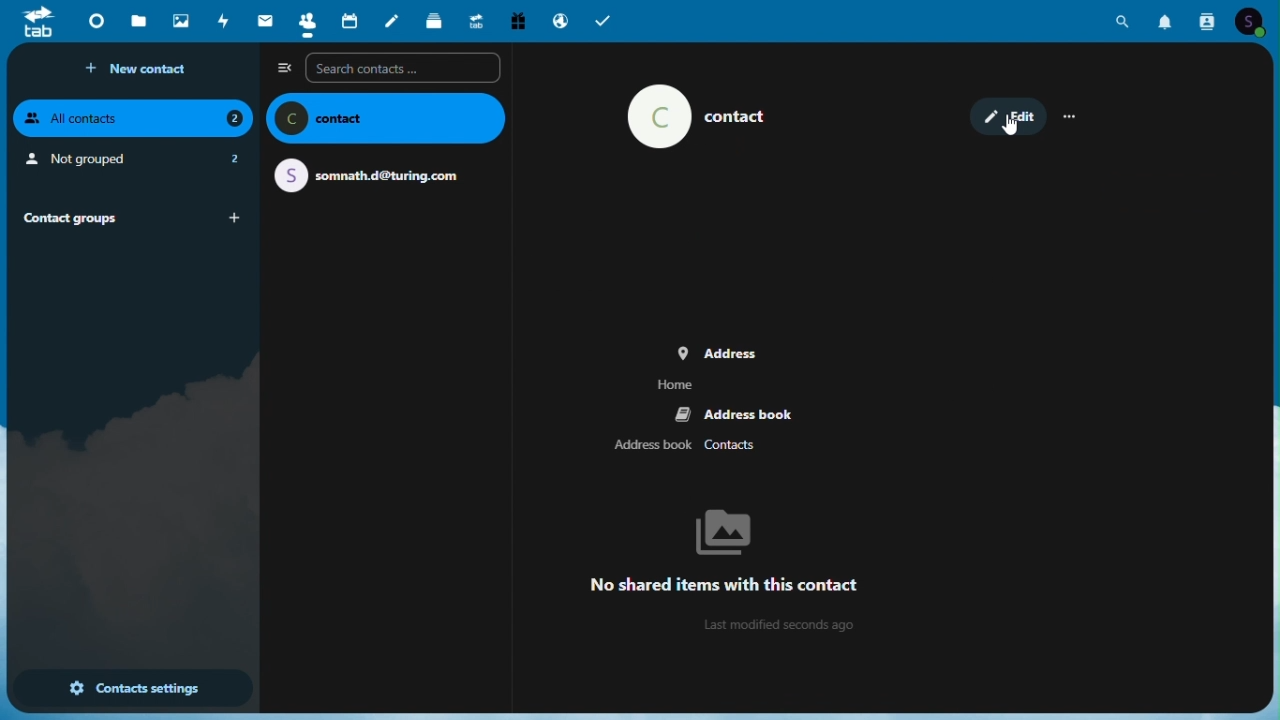  I want to click on cursor, so click(1012, 126).